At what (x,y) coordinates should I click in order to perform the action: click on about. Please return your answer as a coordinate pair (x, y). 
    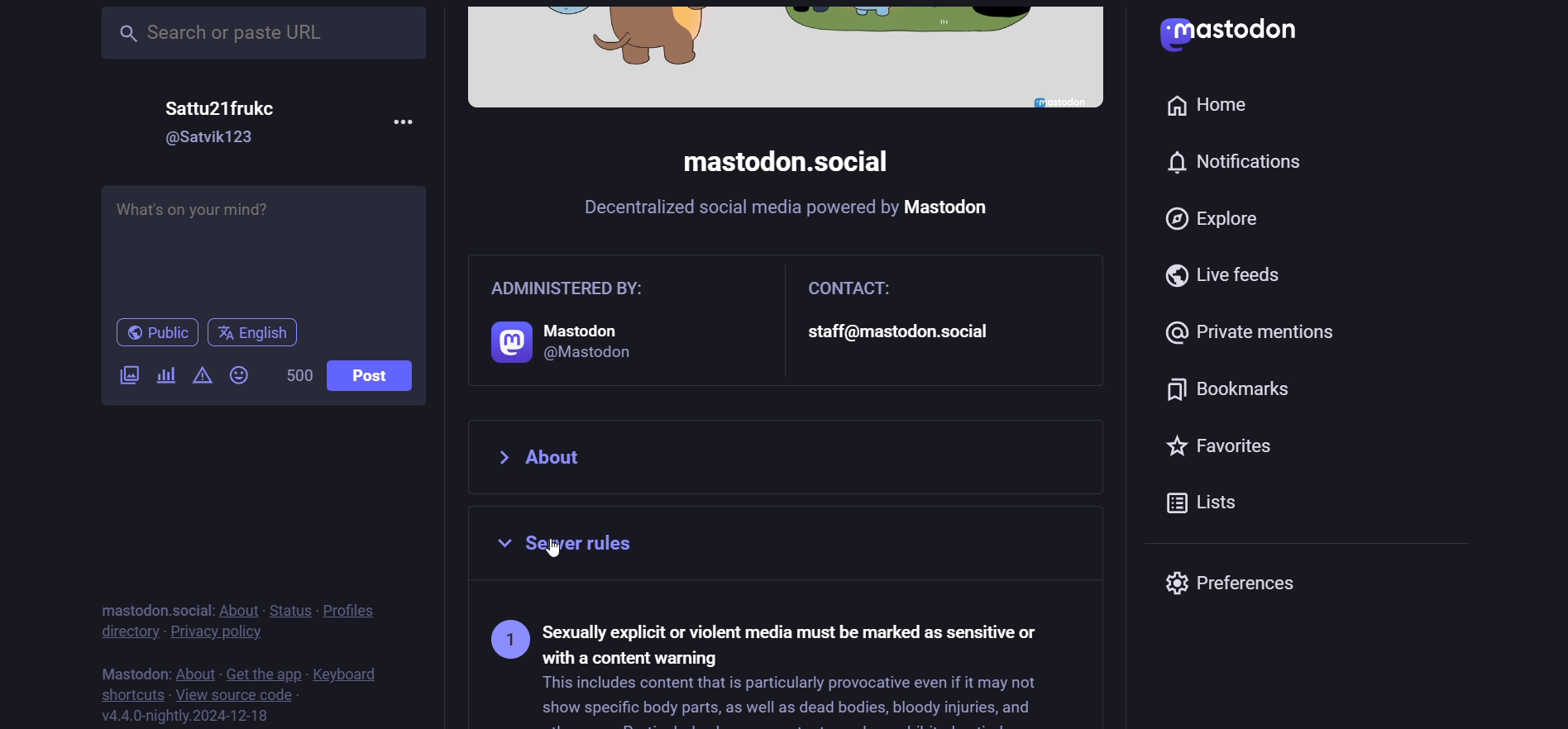
    Looking at the image, I should click on (237, 610).